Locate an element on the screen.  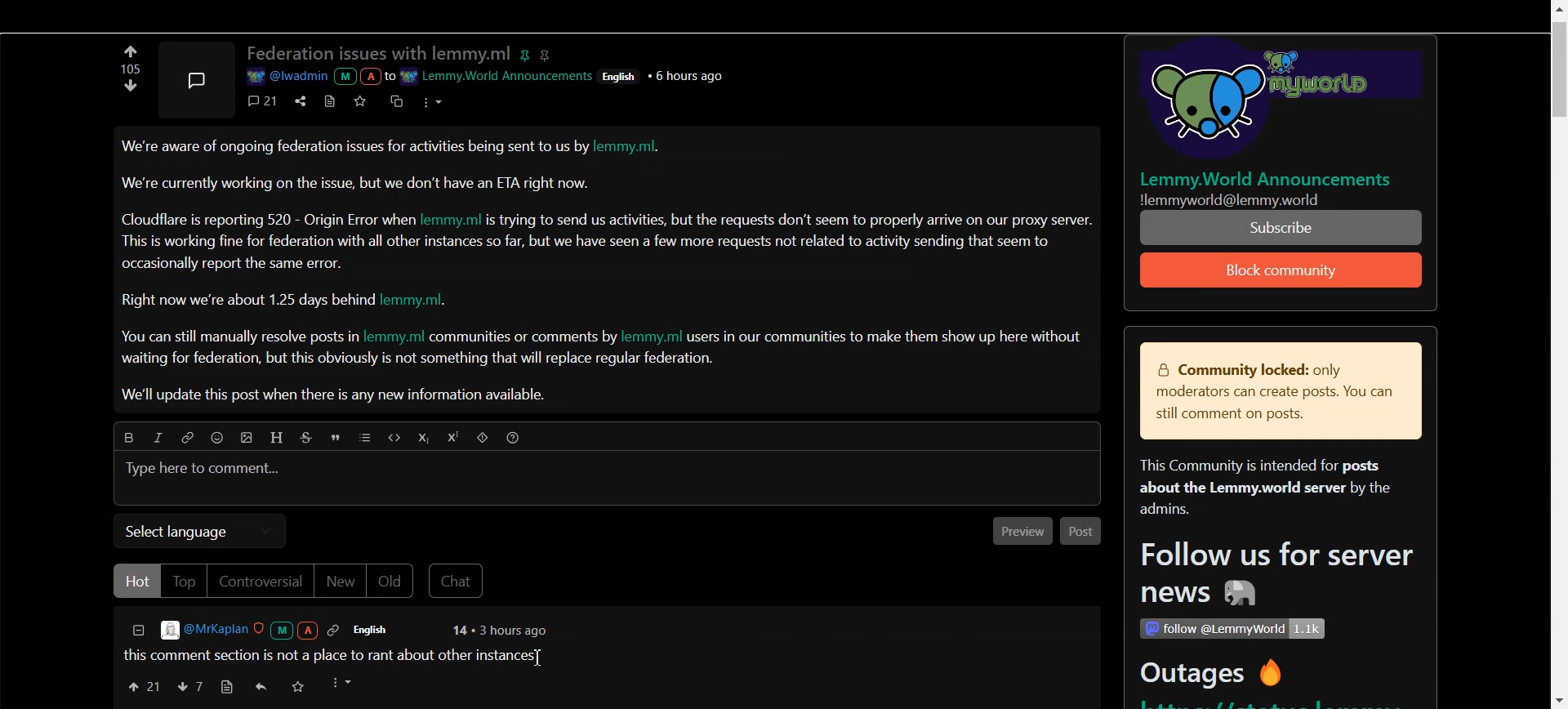
| users in our communities to make them show up here withou is located at coordinates (884, 337).